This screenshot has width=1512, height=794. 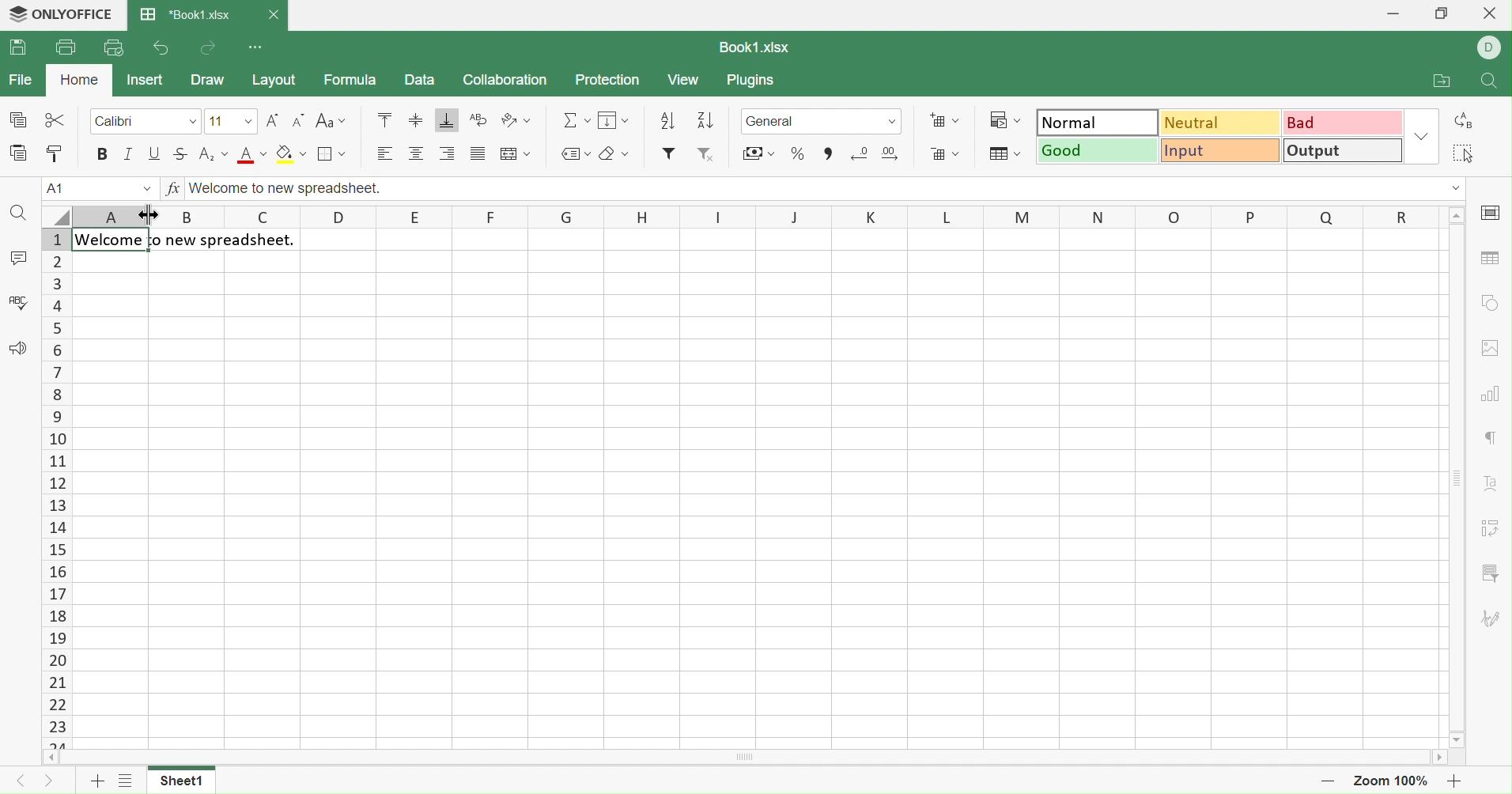 What do you see at coordinates (505, 80) in the screenshot?
I see `Collection` at bounding box center [505, 80].